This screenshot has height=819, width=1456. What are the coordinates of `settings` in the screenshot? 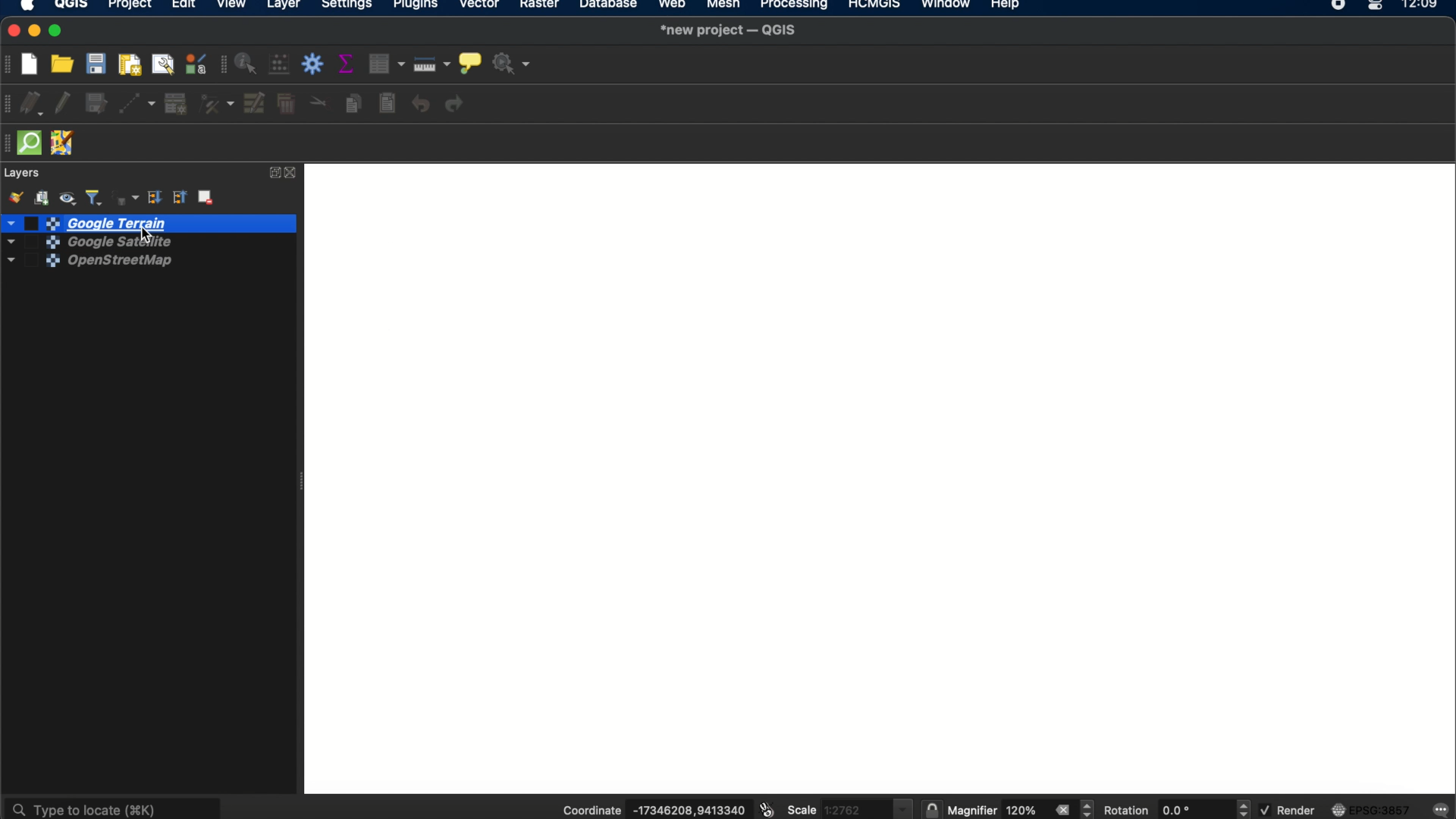 It's located at (347, 6).